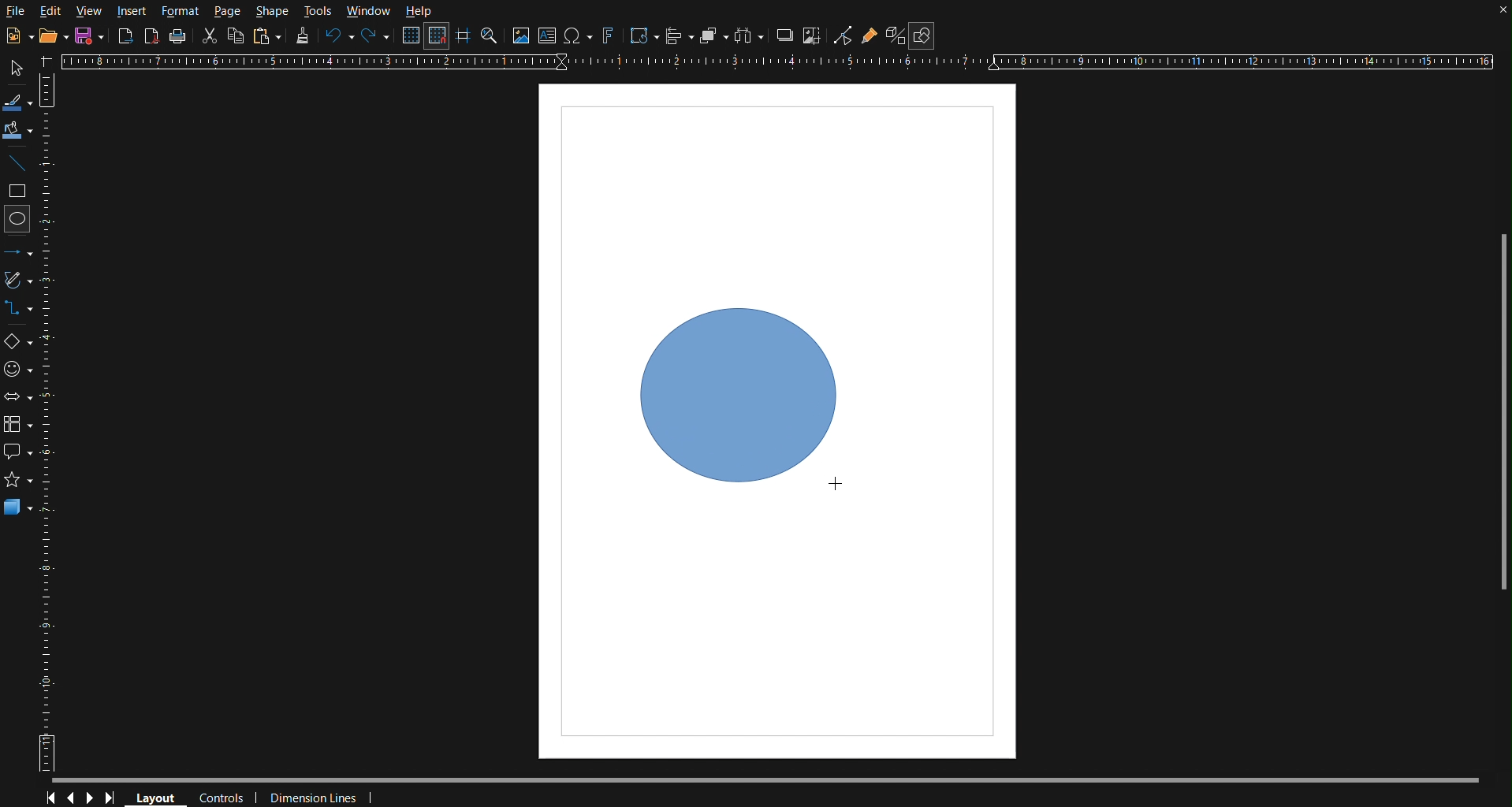 The image size is (1512, 807). I want to click on Zoom and Pan, so click(490, 38).